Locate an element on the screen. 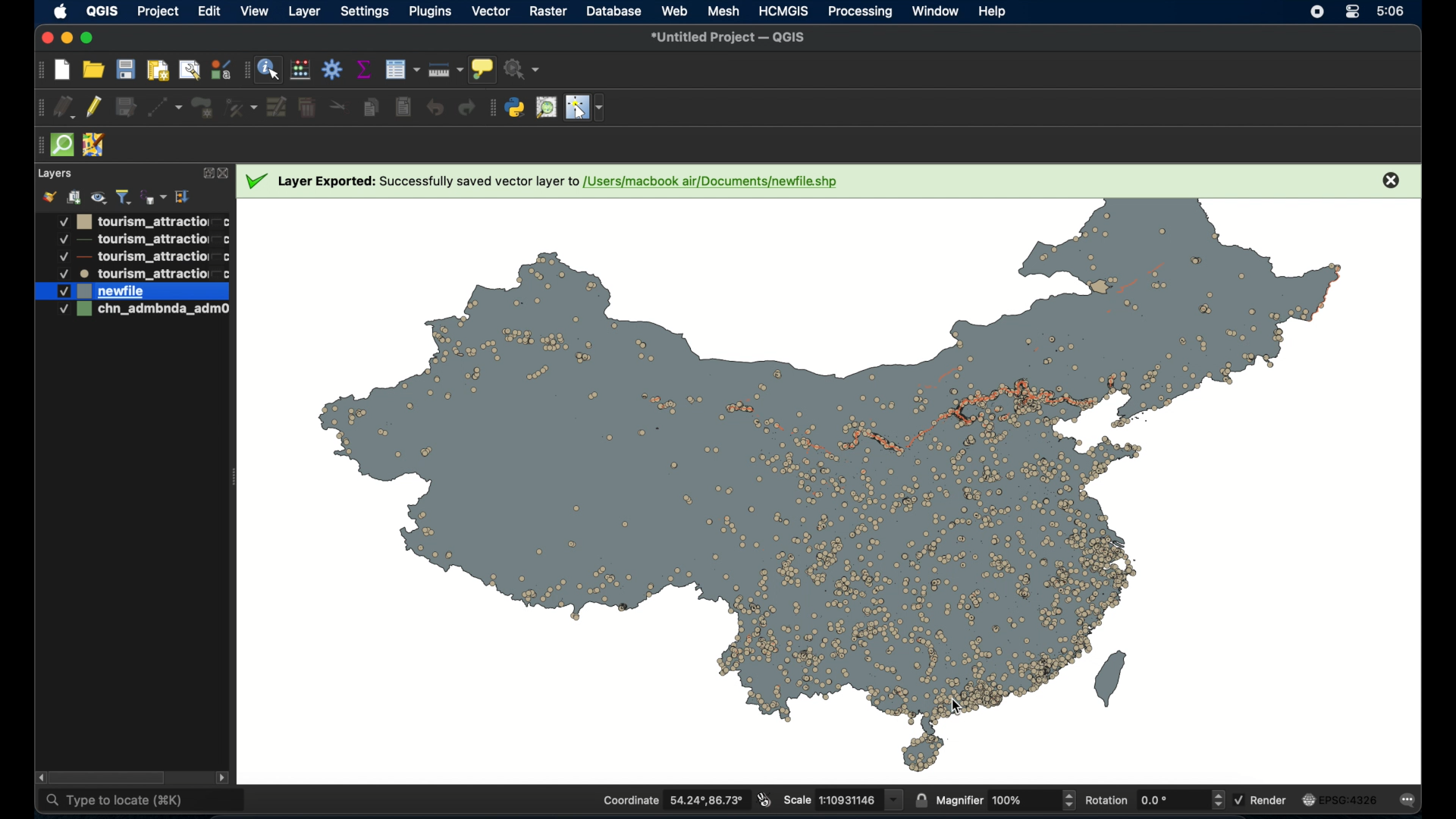  coordinate is located at coordinates (674, 799).